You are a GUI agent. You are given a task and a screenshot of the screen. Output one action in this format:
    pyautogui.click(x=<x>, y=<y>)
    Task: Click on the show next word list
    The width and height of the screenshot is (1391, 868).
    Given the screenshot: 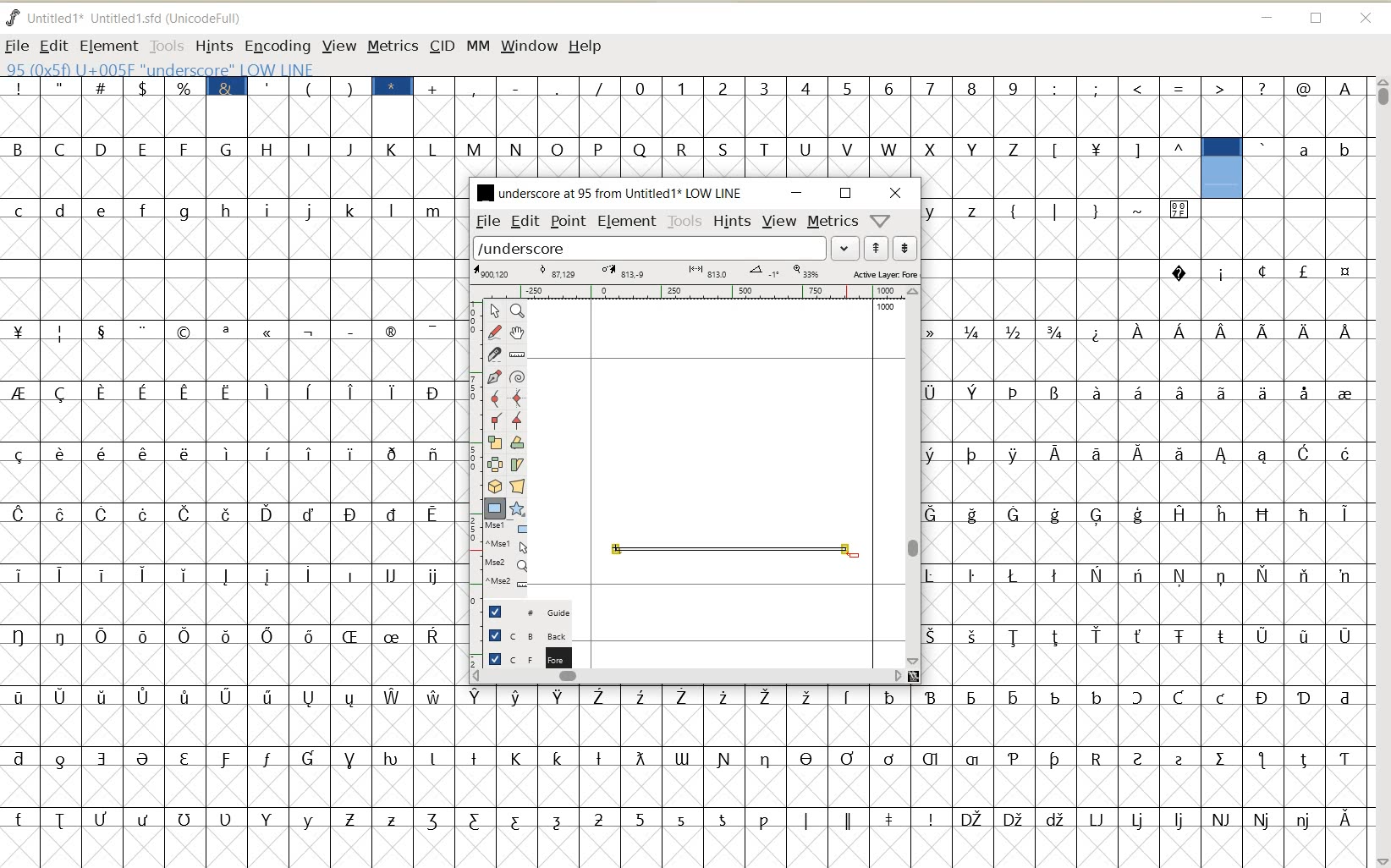 What is the action you would take?
    pyautogui.click(x=905, y=248)
    